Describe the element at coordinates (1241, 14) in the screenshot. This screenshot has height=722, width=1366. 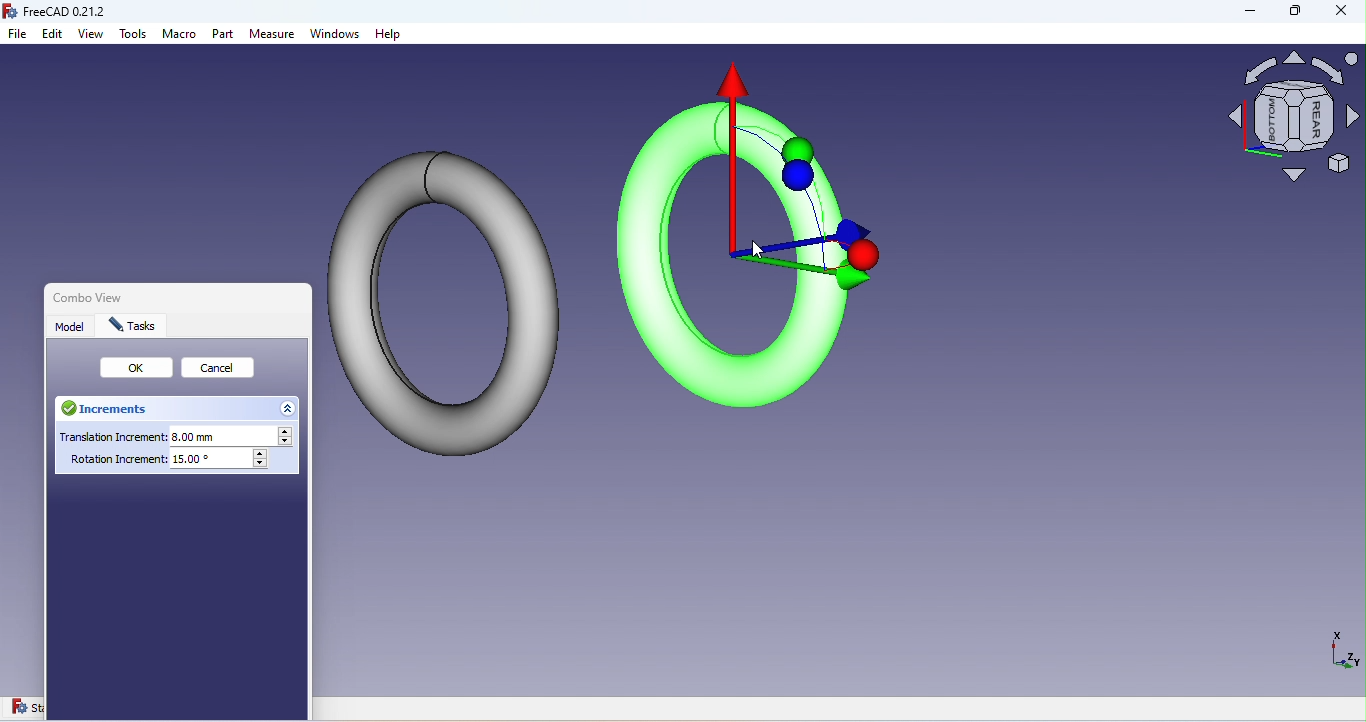
I see `Minimize` at that location.